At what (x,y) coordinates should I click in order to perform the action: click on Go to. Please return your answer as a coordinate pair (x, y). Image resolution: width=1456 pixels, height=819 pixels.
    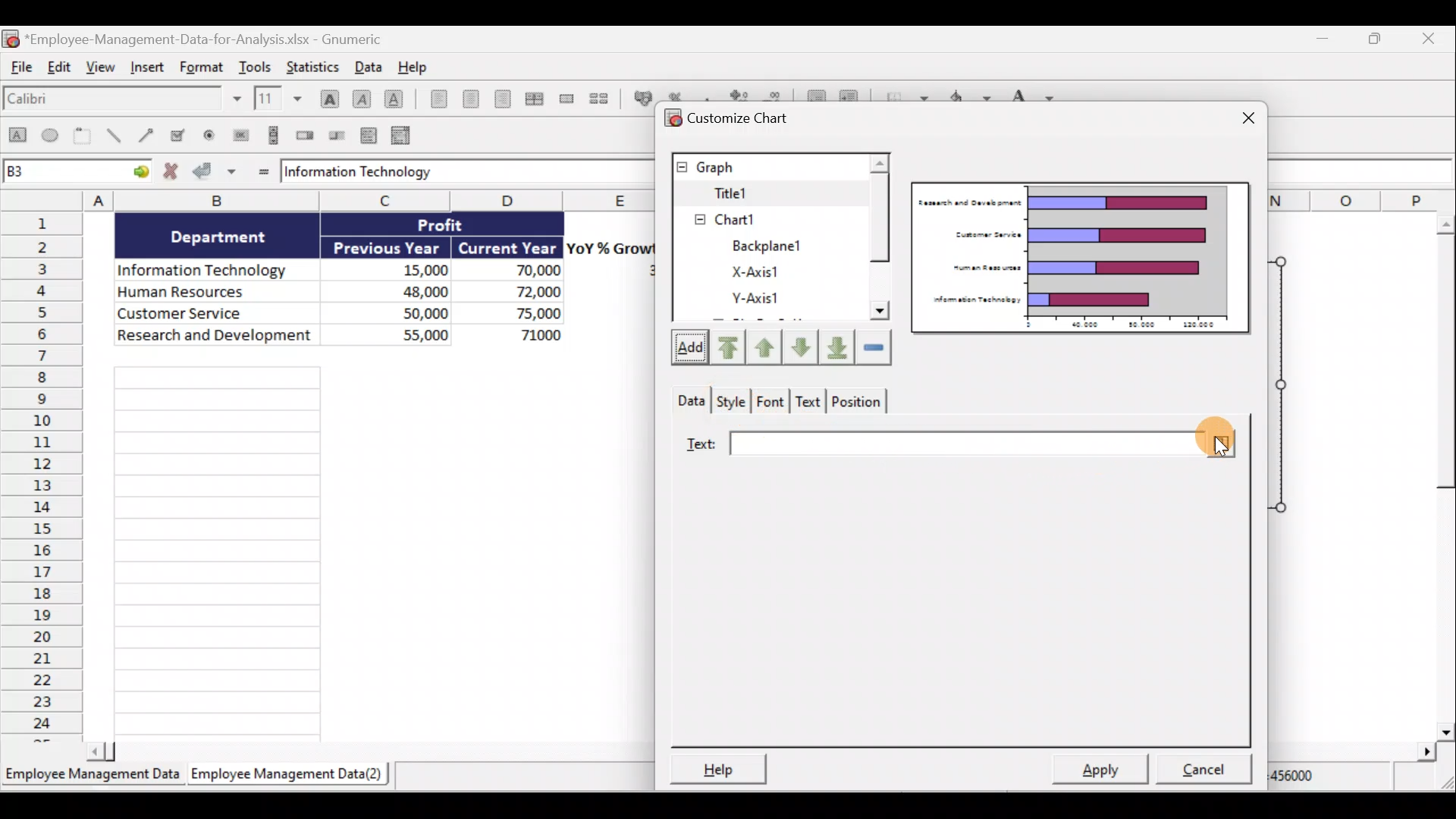
    Looking at the image, I should click on (138, 174).